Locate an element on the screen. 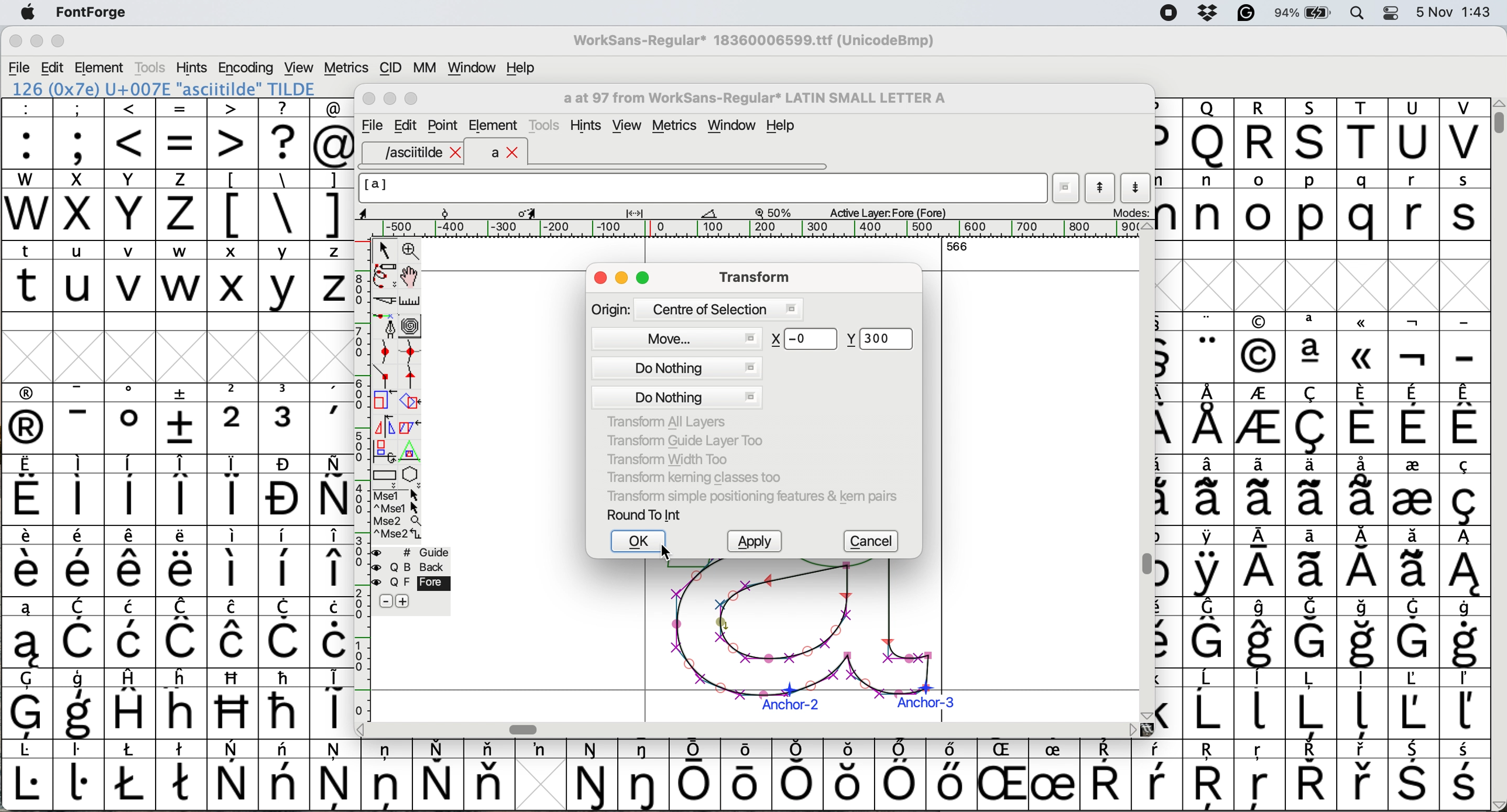 The width and height of the screenshot is (1507, 812). transform simple positioning features and kern pairs is located at coordinates (749, 498).